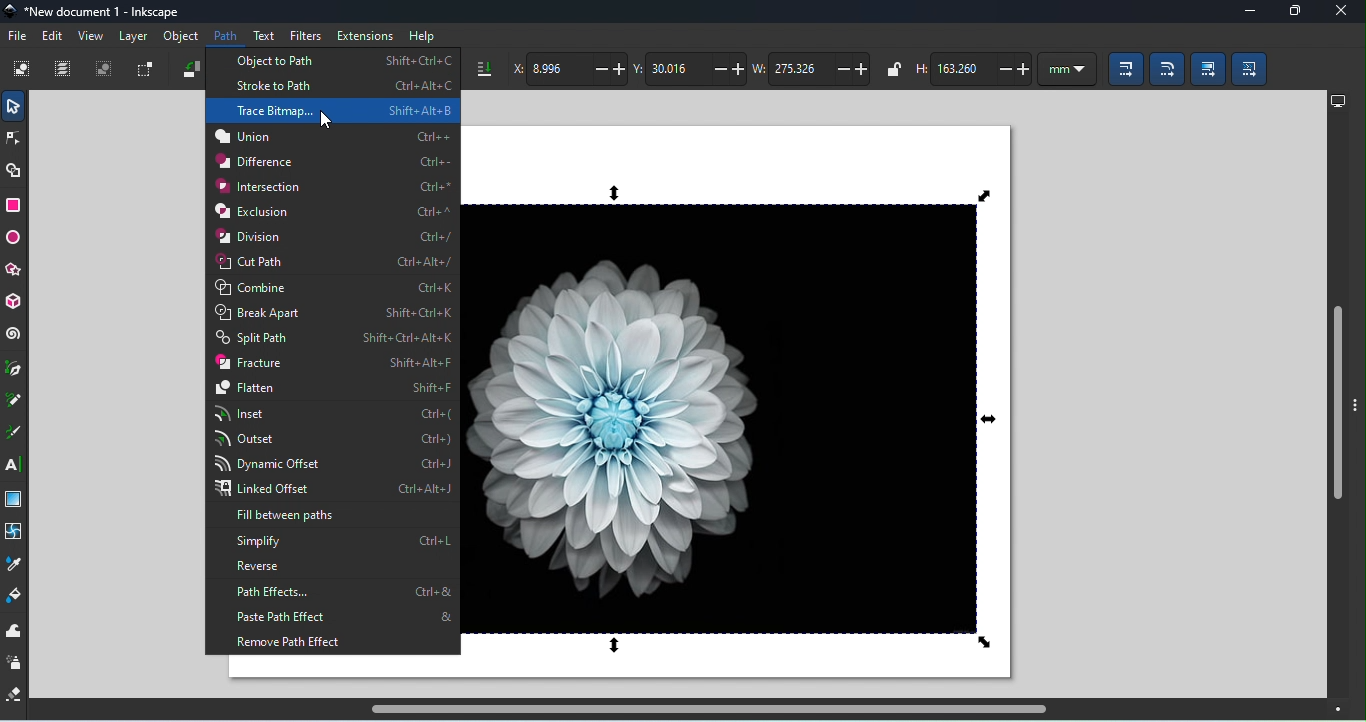  Describe the element at coordinates (104, 71) in the screenshot. I see `Deselect any selected objects` at that location.